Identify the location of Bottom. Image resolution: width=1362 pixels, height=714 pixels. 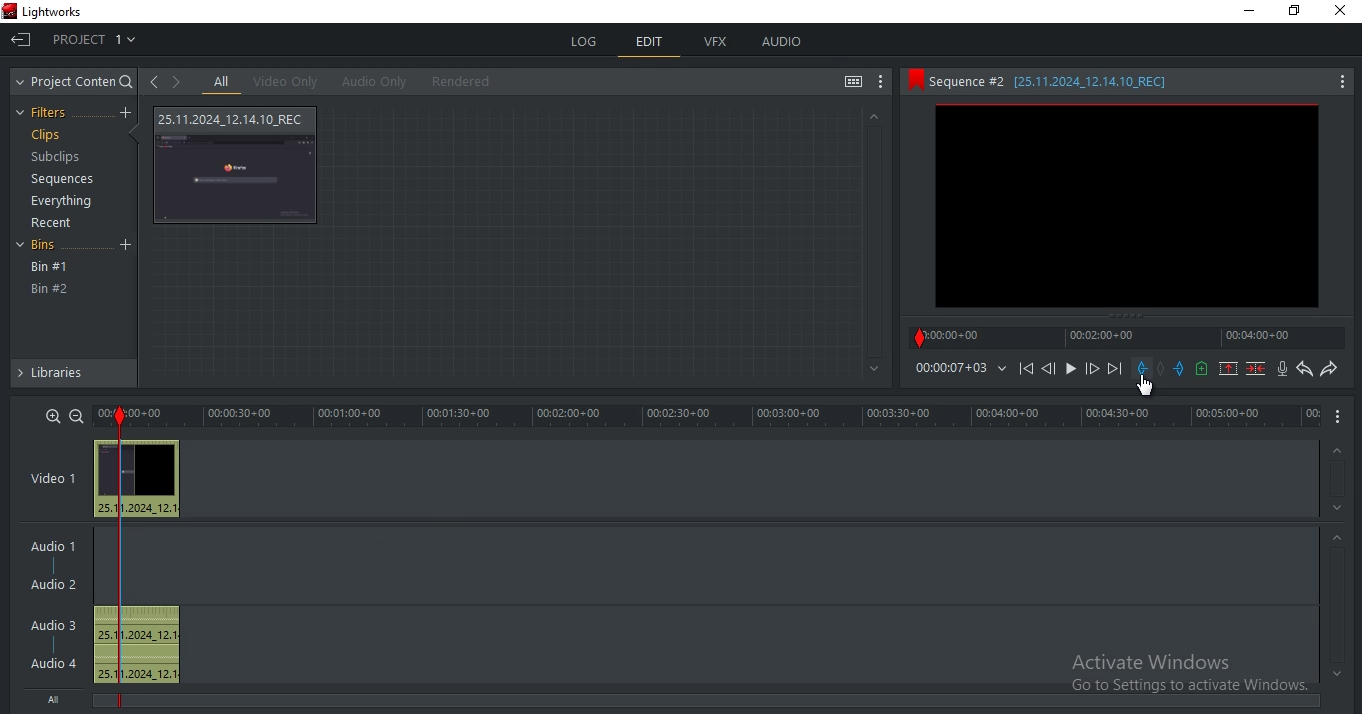
(1334, 674).